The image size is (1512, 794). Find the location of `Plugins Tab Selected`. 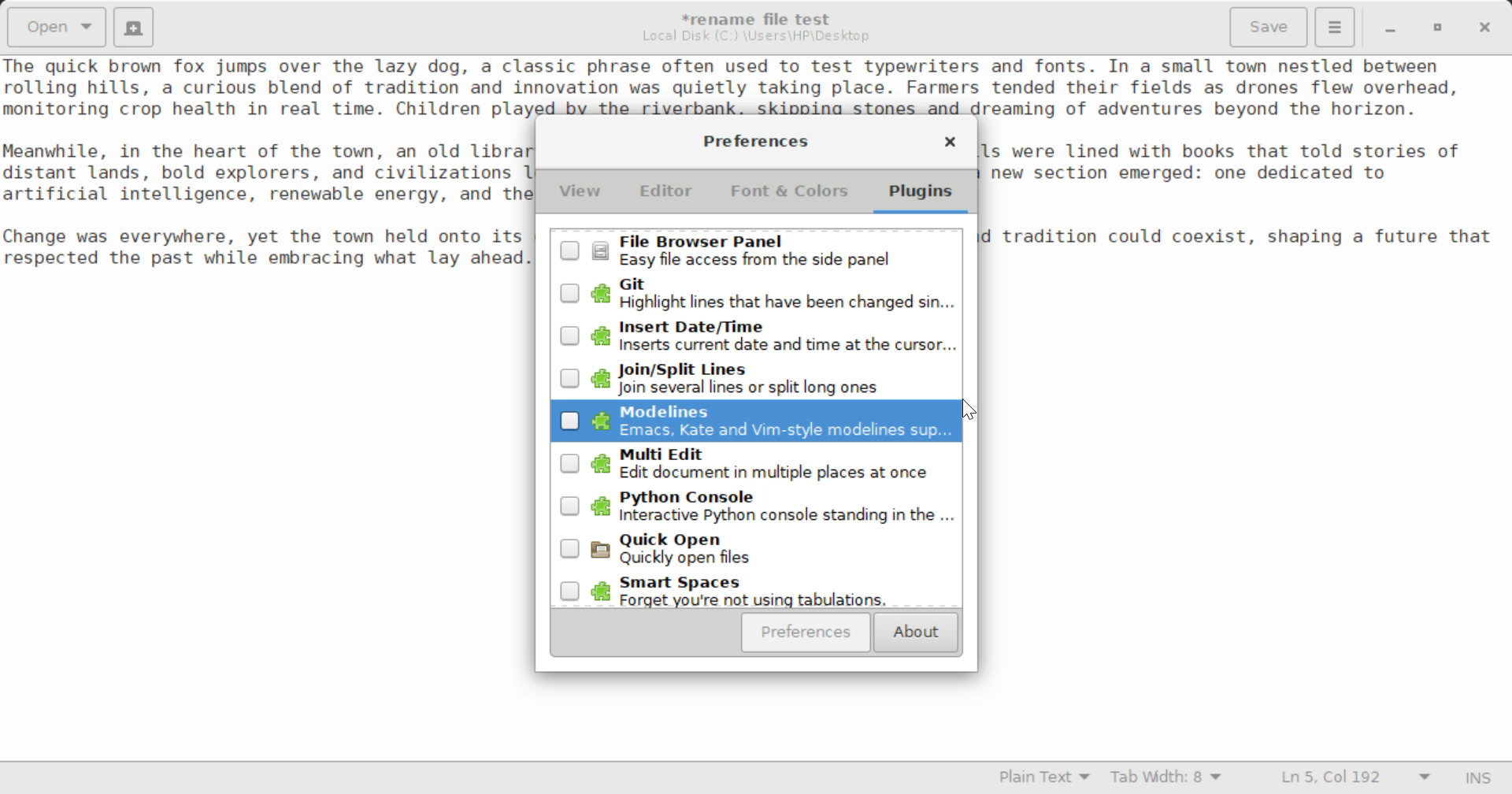

Plugins Tab Selected is located at coordinates (925, 197).